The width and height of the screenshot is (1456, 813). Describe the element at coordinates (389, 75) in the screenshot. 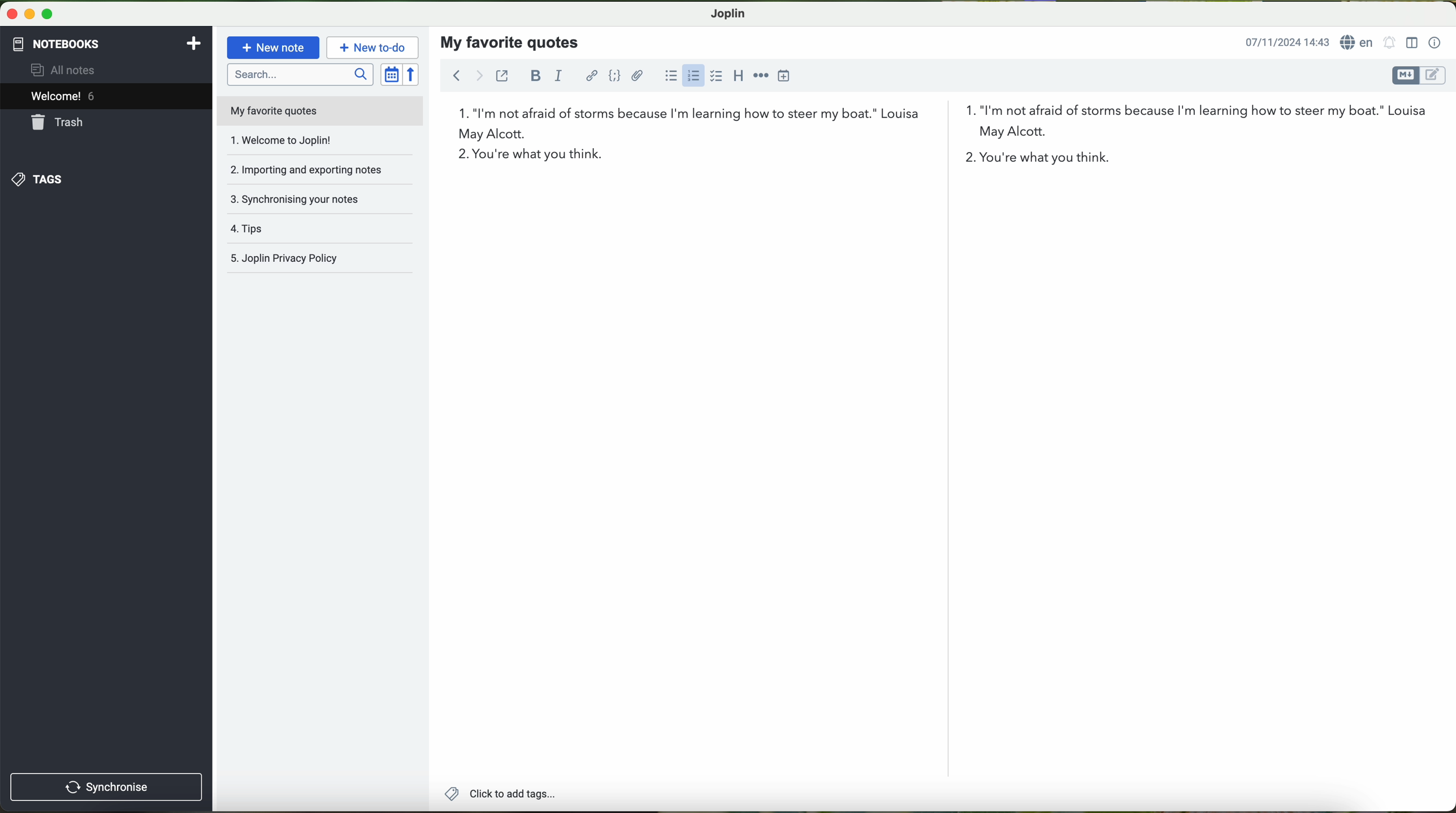

I see `toggle sort order field` at that location.